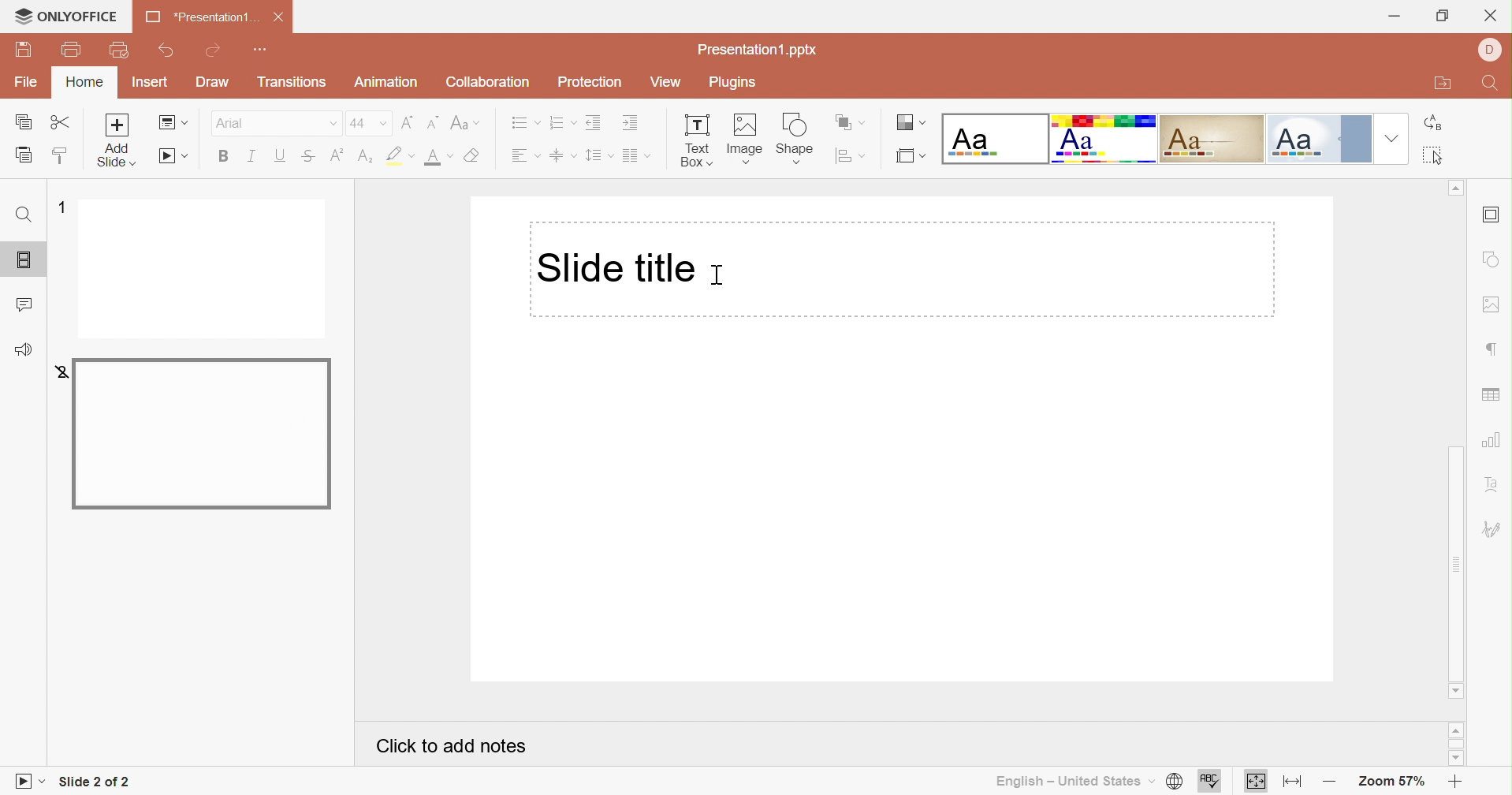 This screenshot has width=1512, height=795. Describe the element at coordinates (698, 143) in the screenshot. I see `Text Box` at that location.